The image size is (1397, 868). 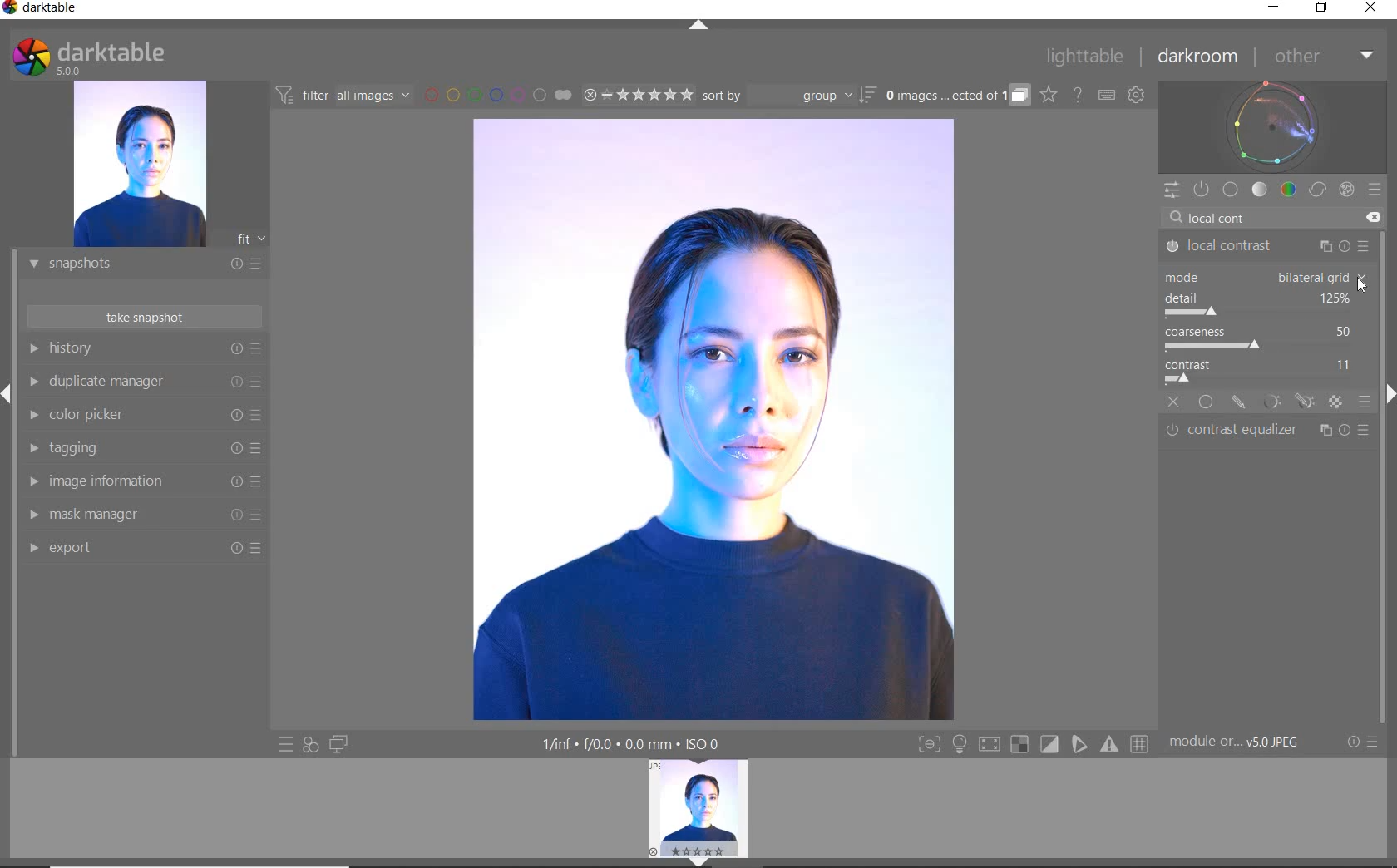 I want to click on EXPAND/COLLAPSE, so click(x=701, y=27).